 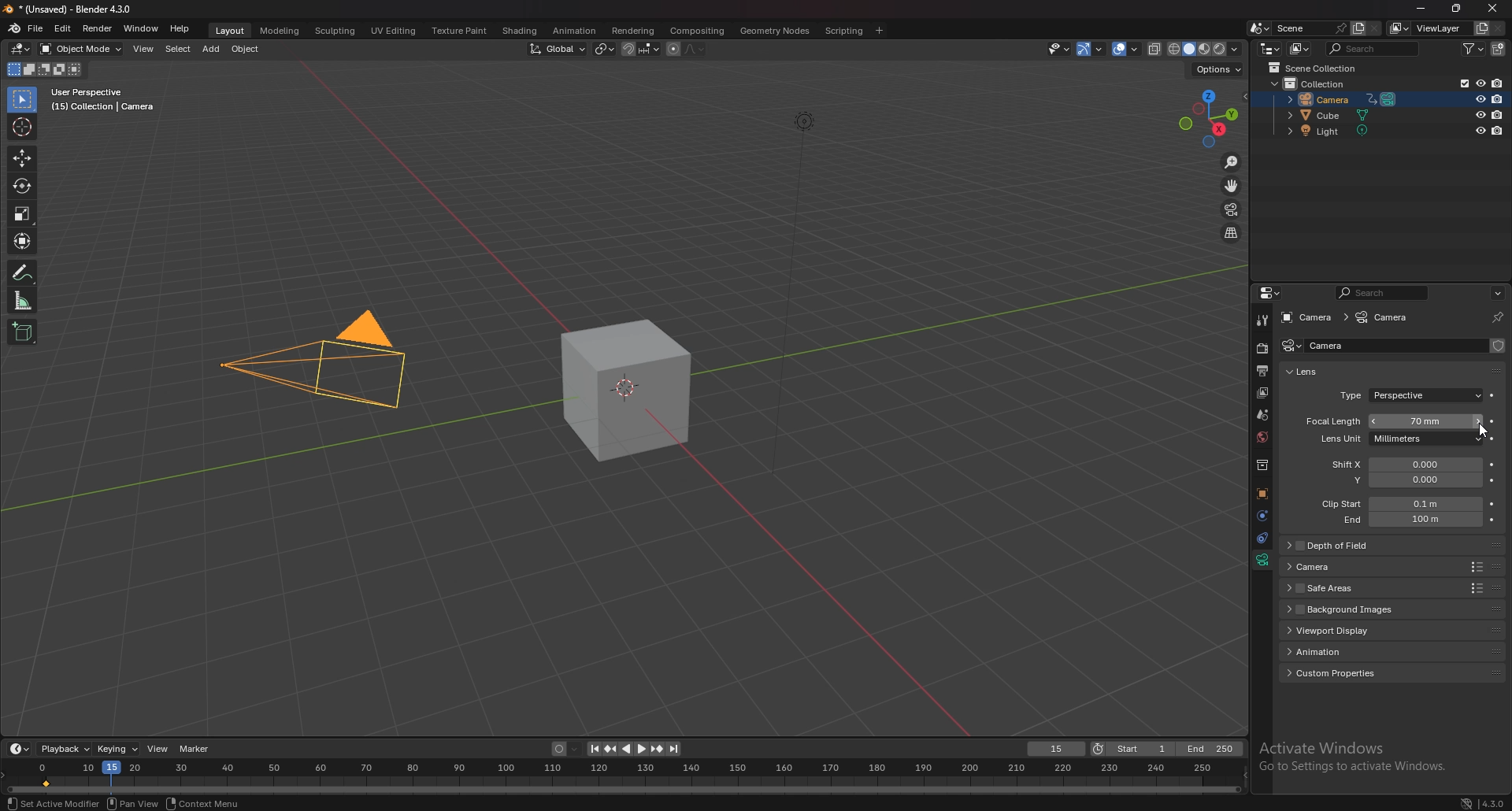 What do you see at coordinates (1230, 161) in the screenshot?
I see `zoom` at bounding box center [1230, 161].